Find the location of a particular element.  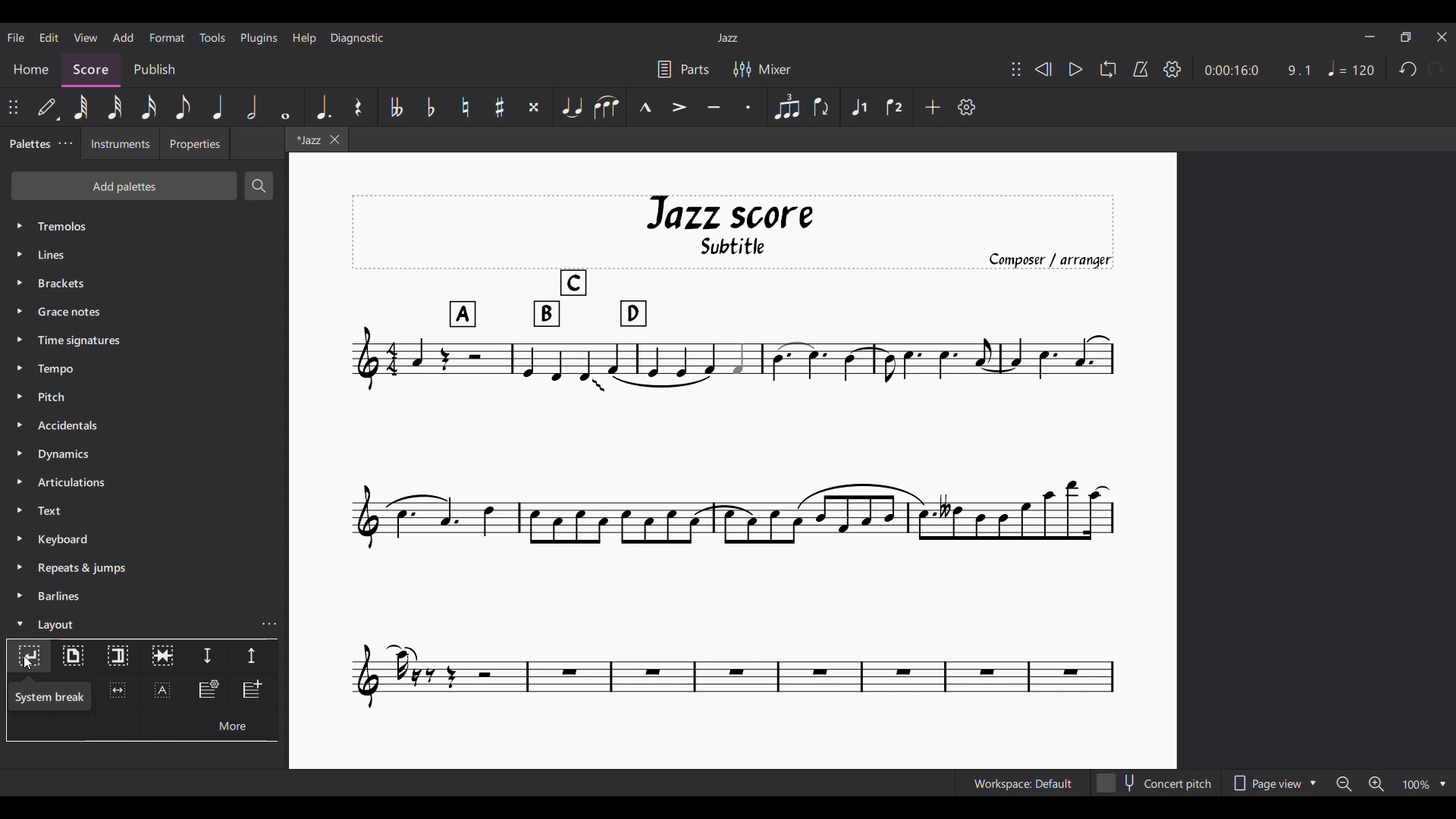

Text is located at coordinates (144, 510).